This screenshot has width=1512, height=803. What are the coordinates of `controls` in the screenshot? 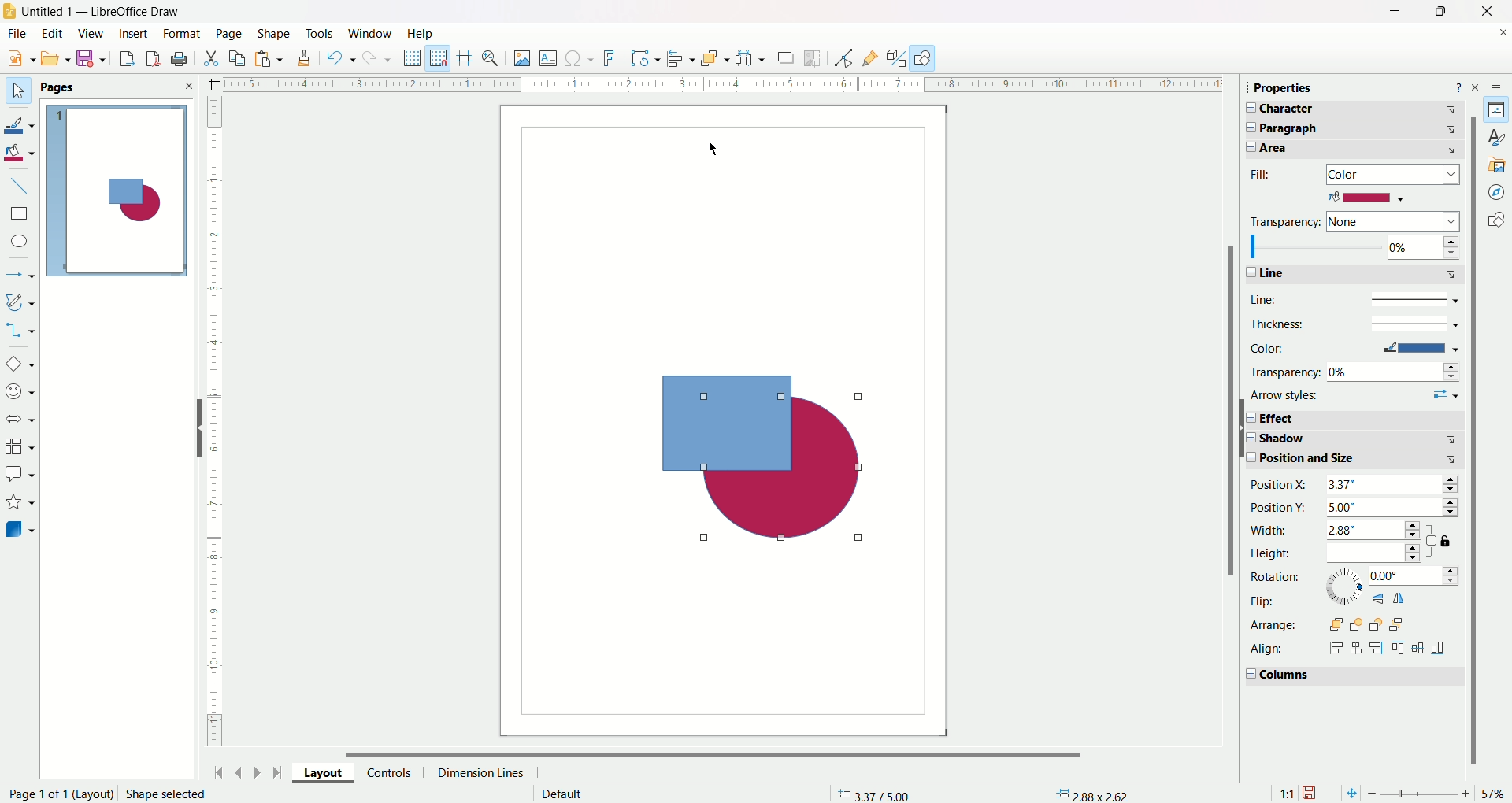 It's located at (389, 772).